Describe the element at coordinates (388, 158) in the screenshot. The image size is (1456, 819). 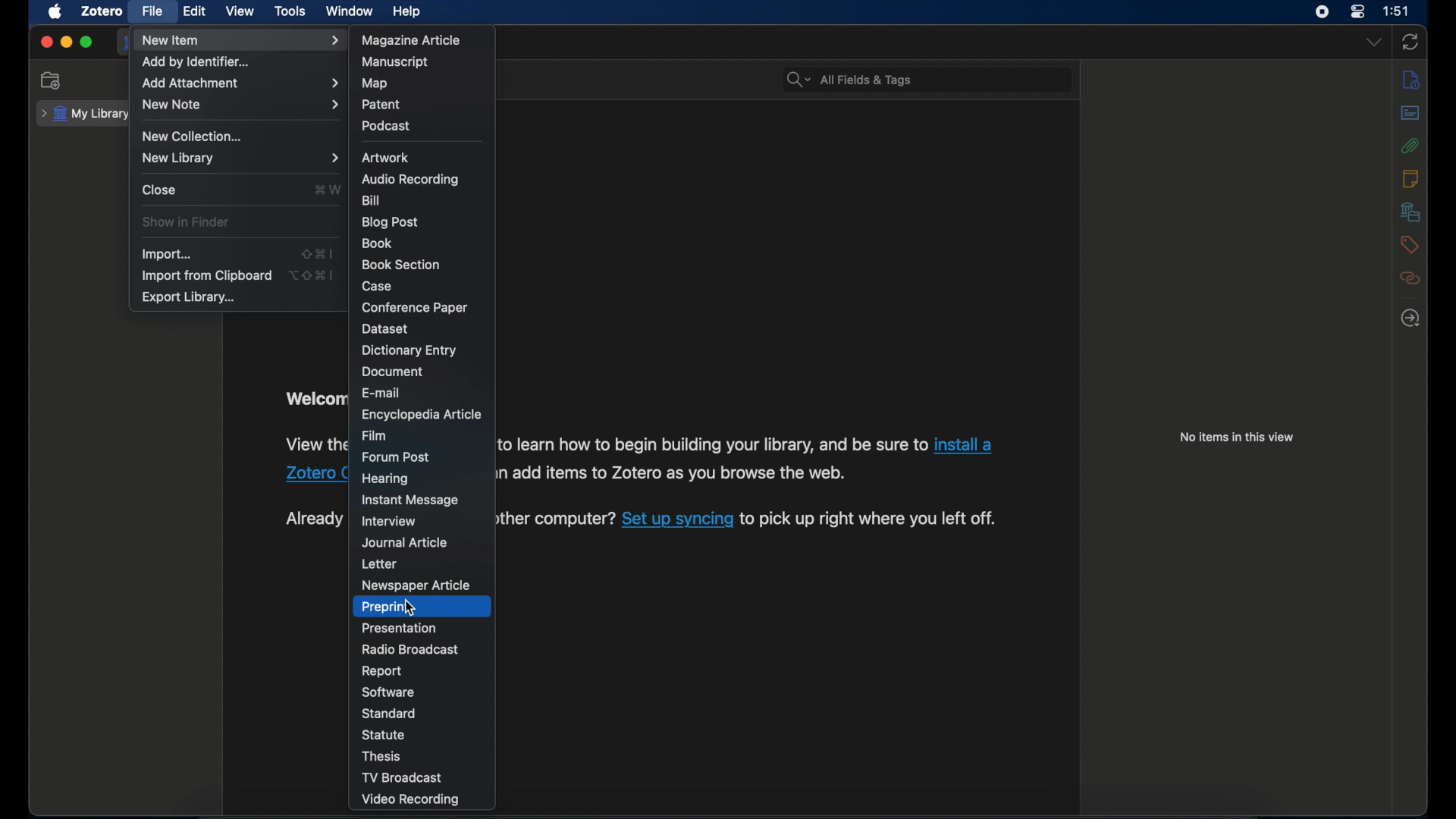
I see `artwork` at that location.